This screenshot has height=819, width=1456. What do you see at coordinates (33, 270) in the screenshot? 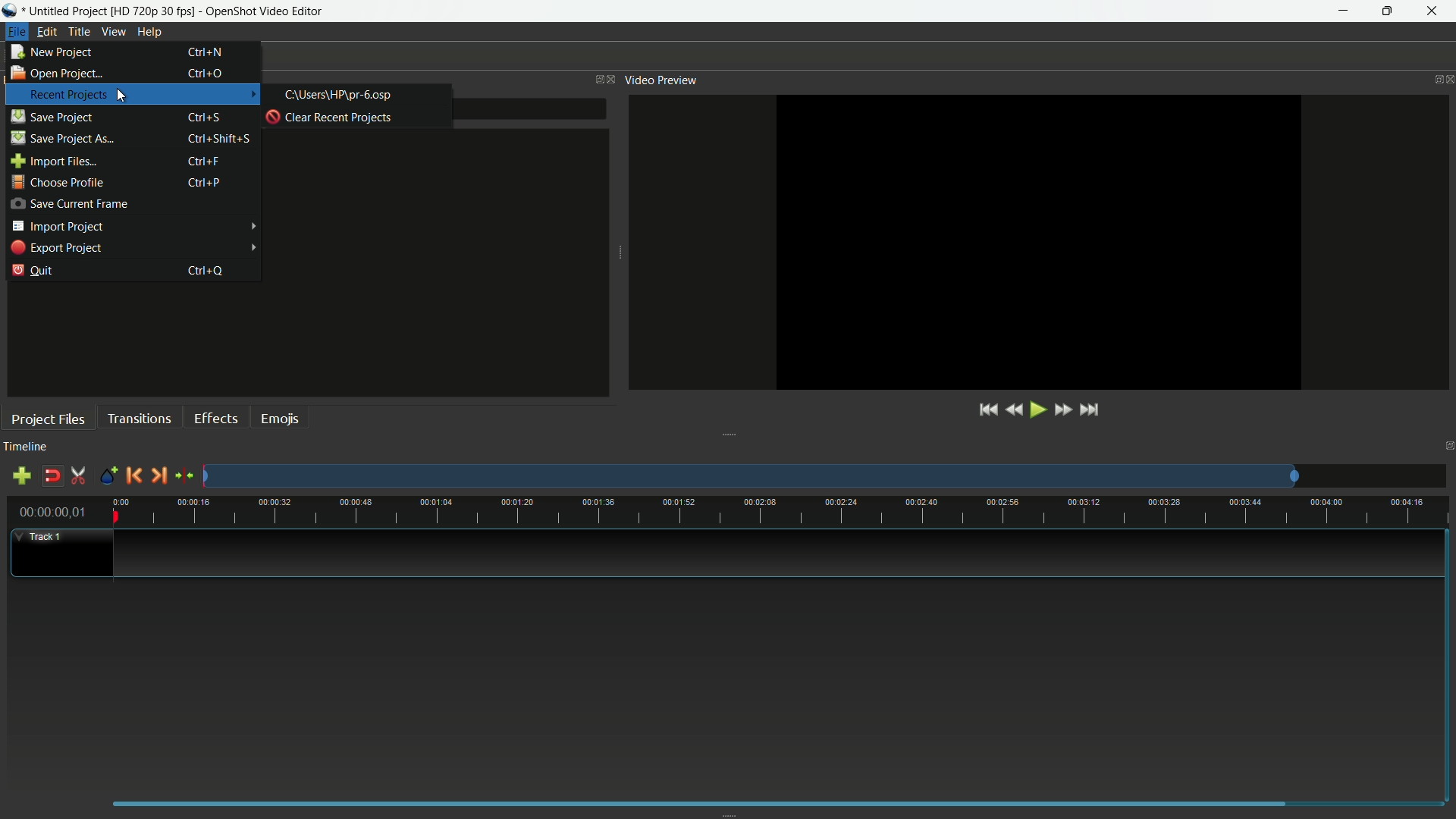
I see `quit` at bounding box center [33, 270].